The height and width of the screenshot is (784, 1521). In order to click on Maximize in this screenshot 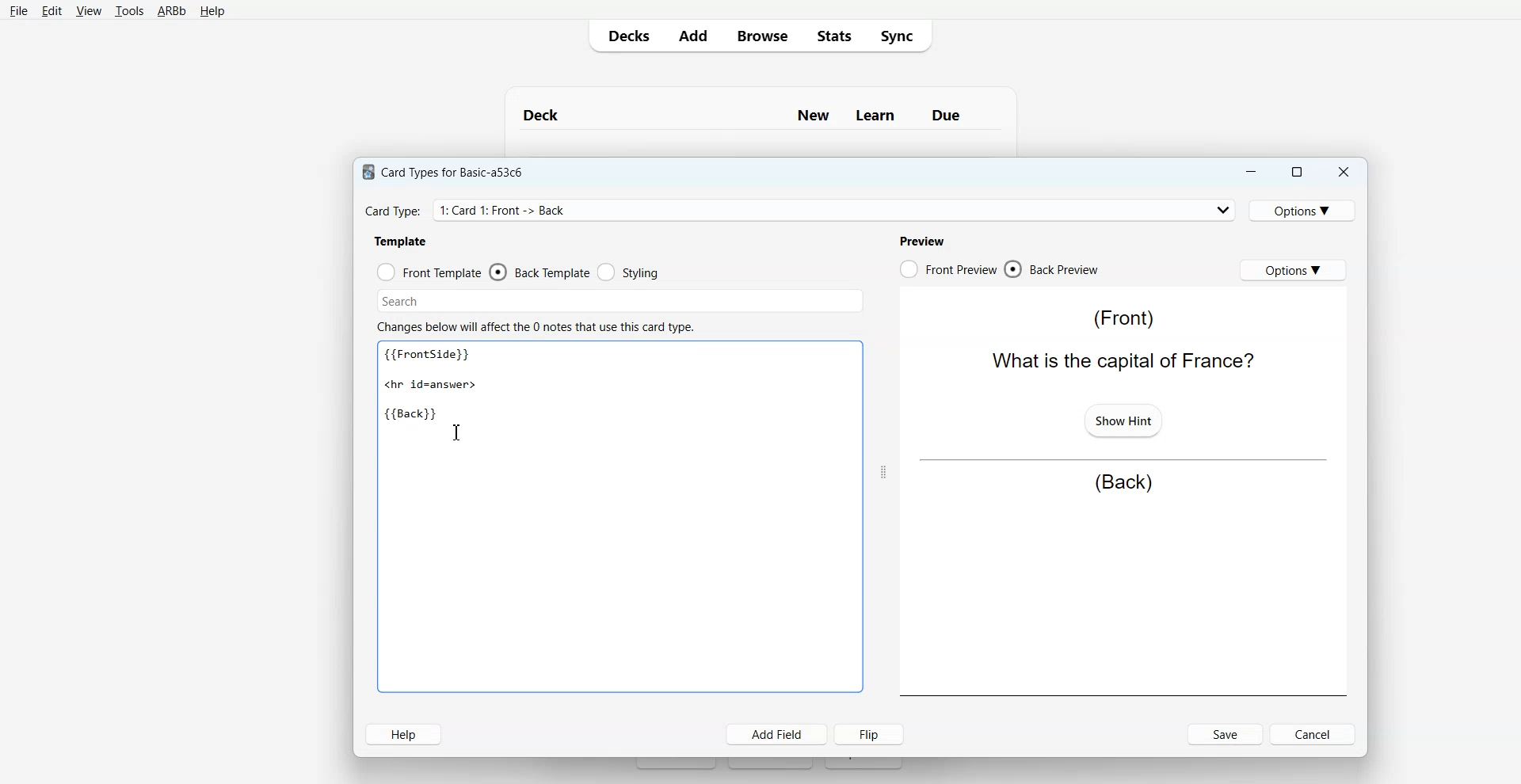, I will do `click(1295, 172)`.